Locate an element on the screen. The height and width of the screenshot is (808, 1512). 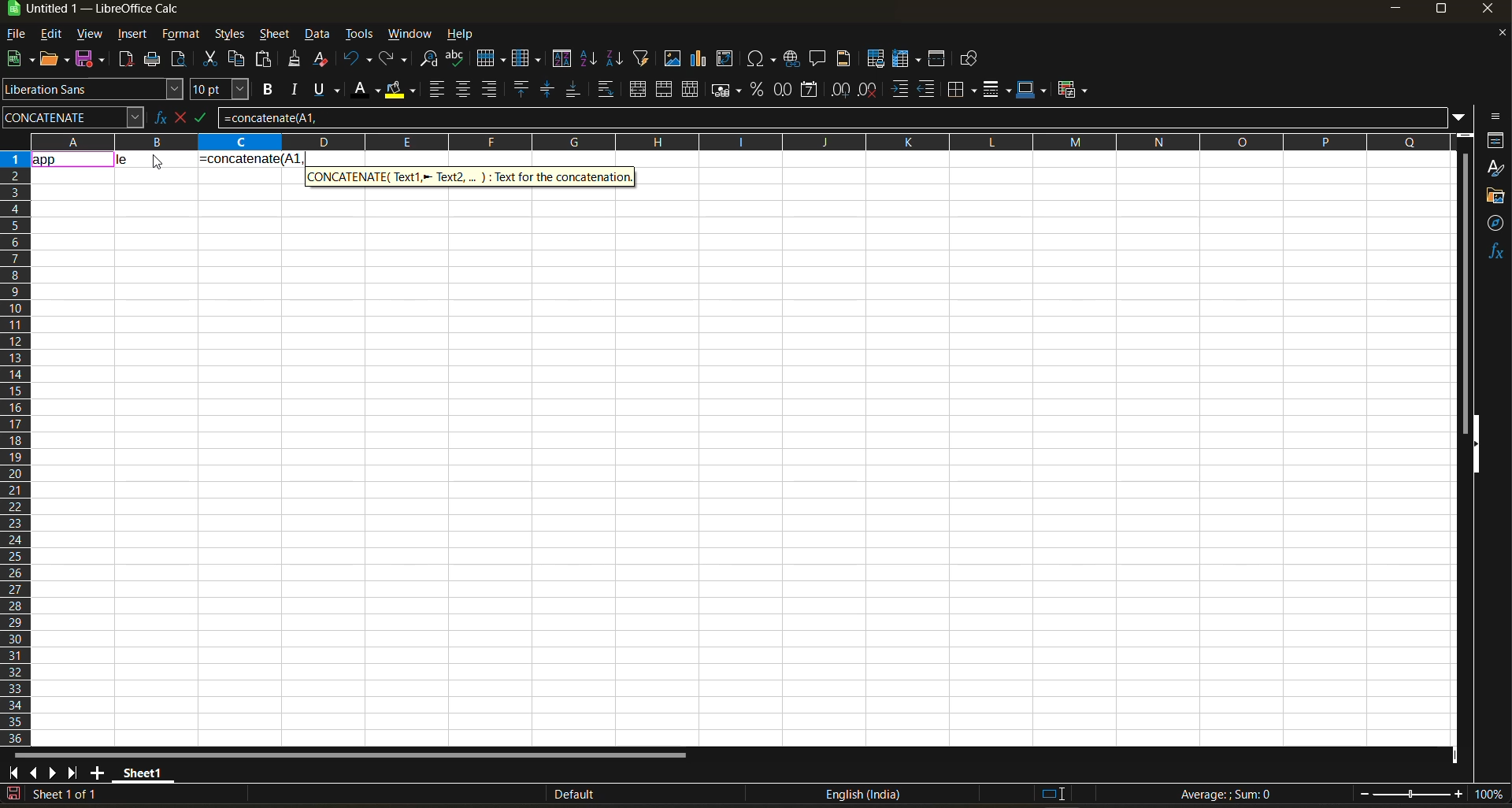
show draw functions is located at coordinates (966, 61).